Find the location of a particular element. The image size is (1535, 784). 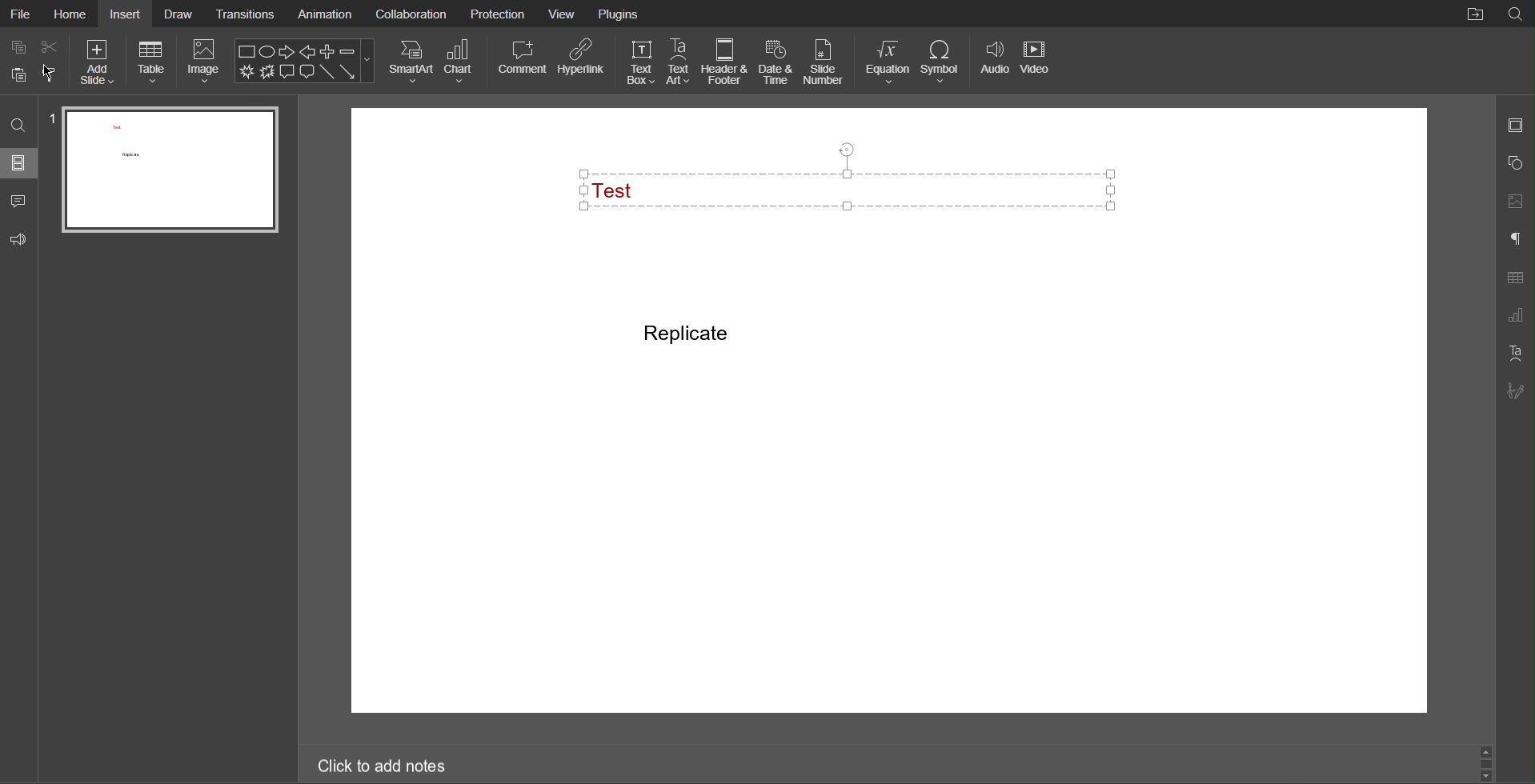

Video is located at coordinates (1037, 62).